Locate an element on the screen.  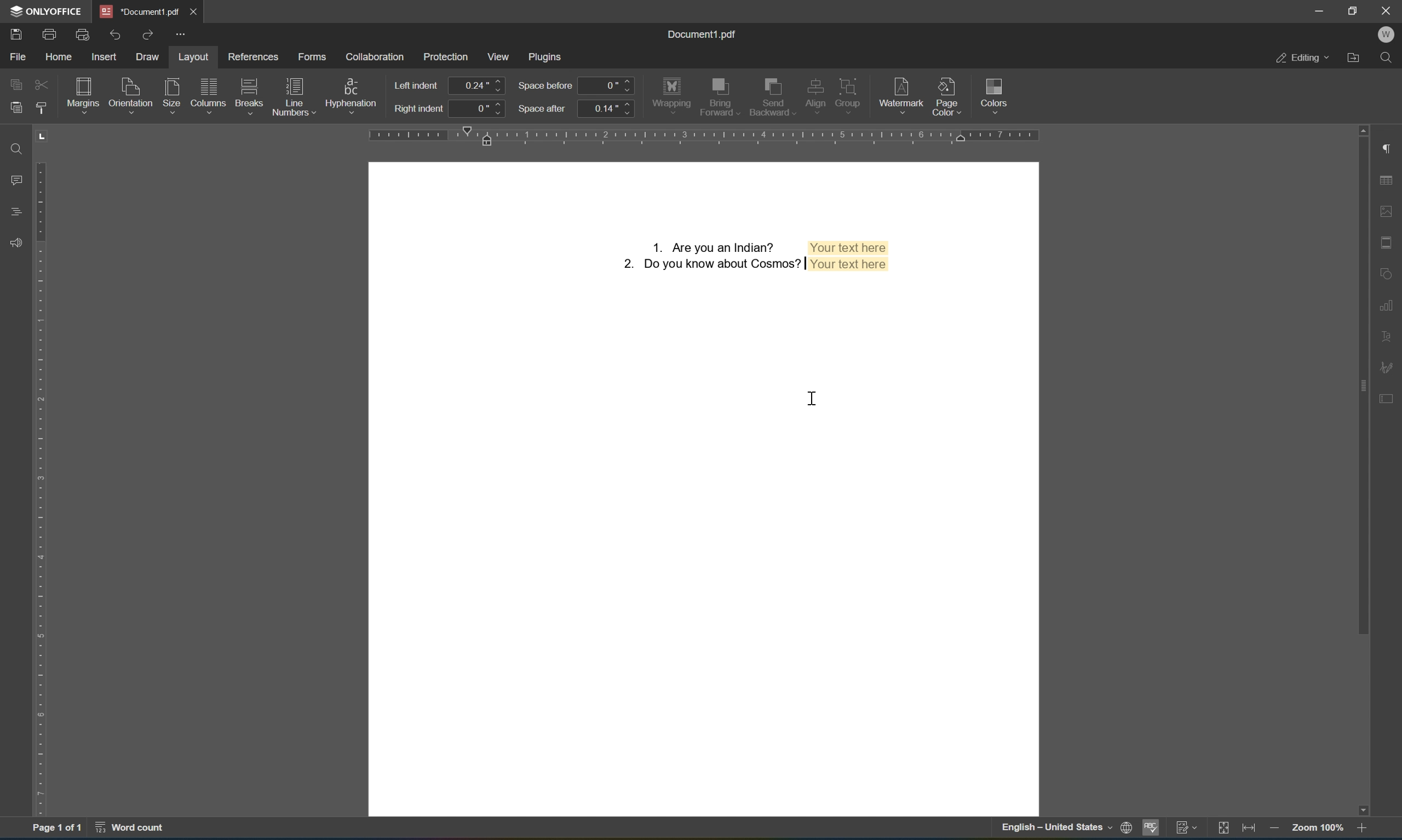
space after is located at coordinates (543, 109).